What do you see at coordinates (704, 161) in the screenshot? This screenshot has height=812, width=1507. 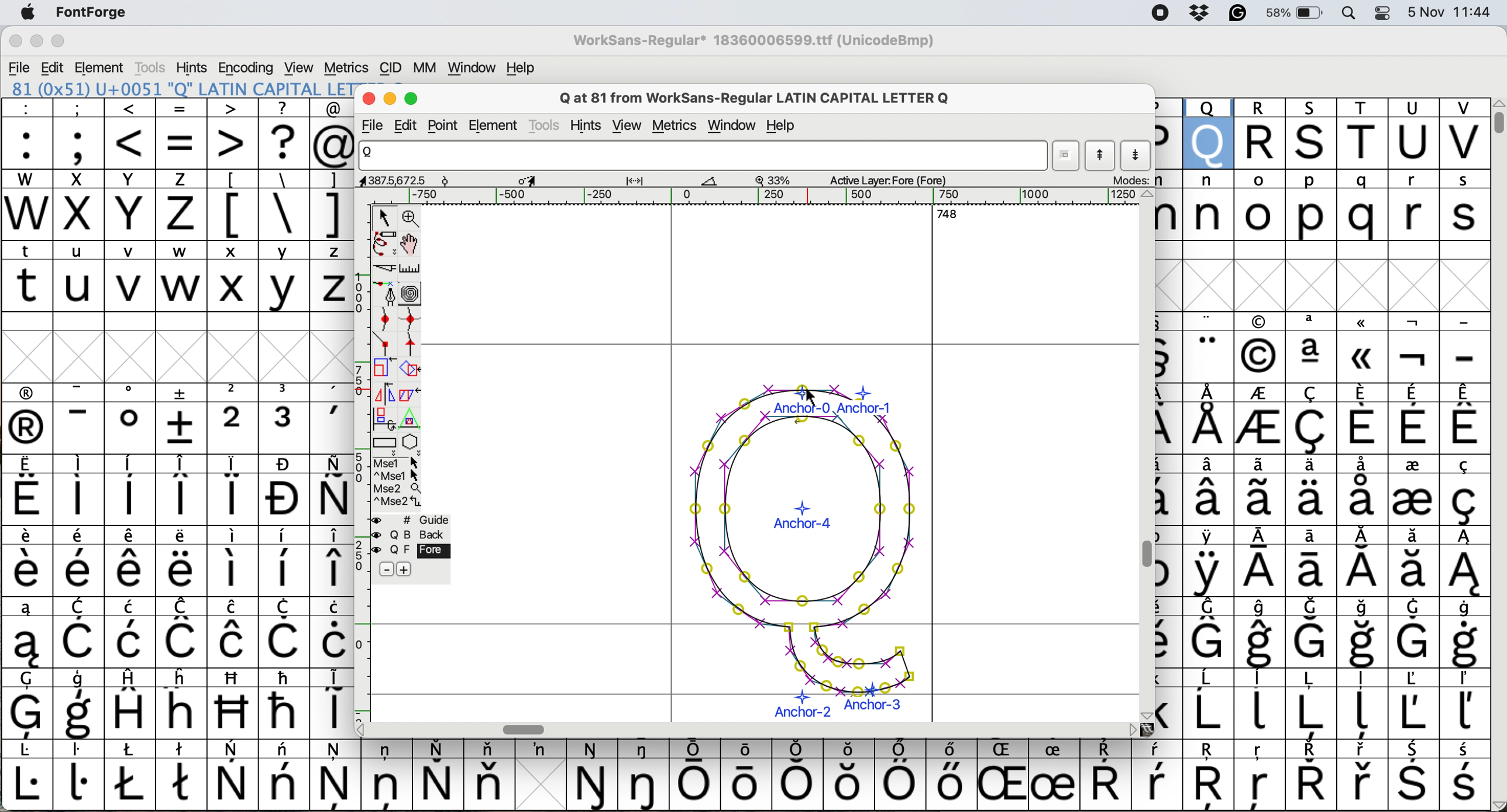 I see `glyph name` at bounding box center [704, 161].